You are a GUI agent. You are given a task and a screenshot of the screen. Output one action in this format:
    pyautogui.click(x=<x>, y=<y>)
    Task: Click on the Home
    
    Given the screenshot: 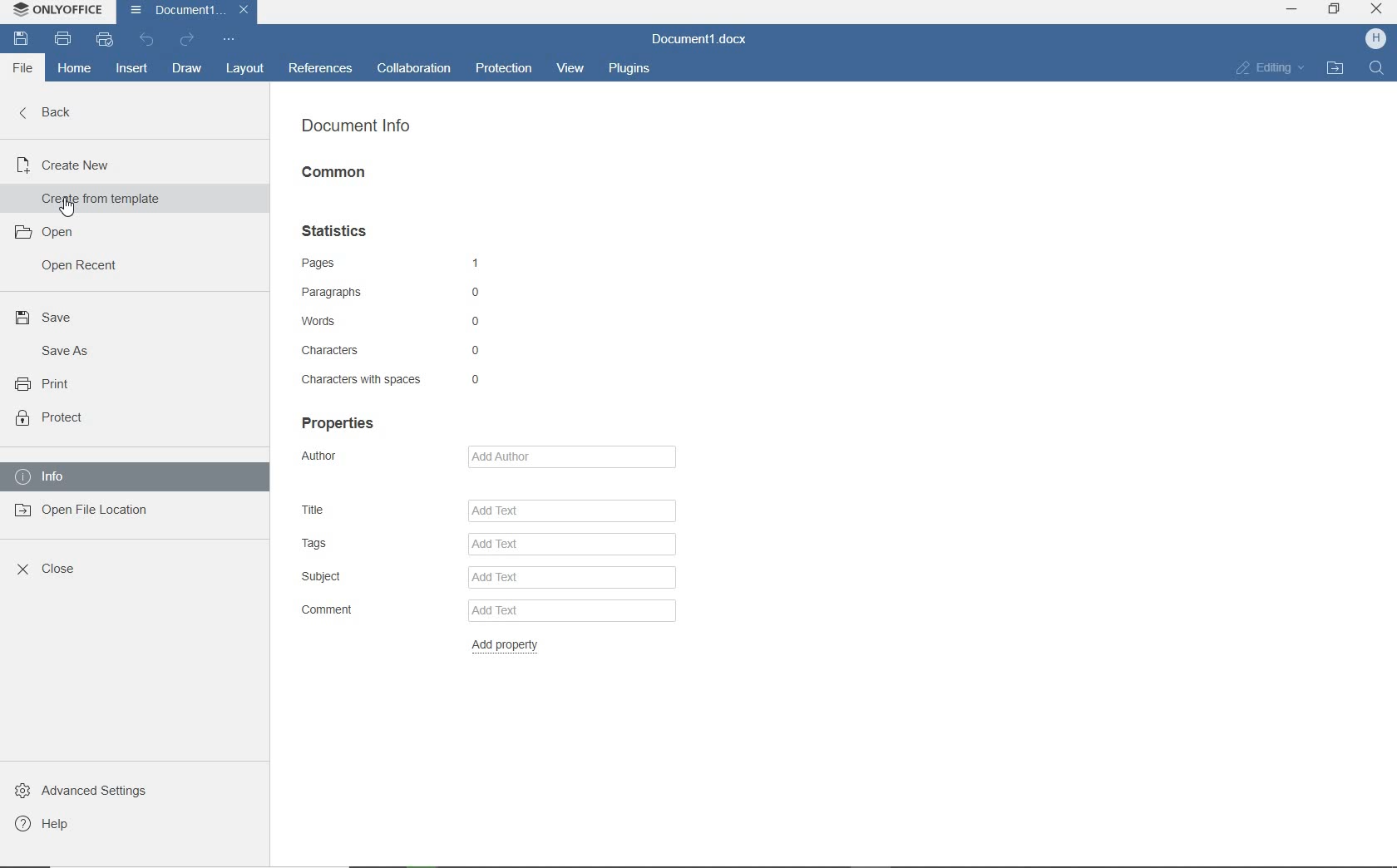 What is the action you would take?
    pyautogui.click(x=74, y=69)
    